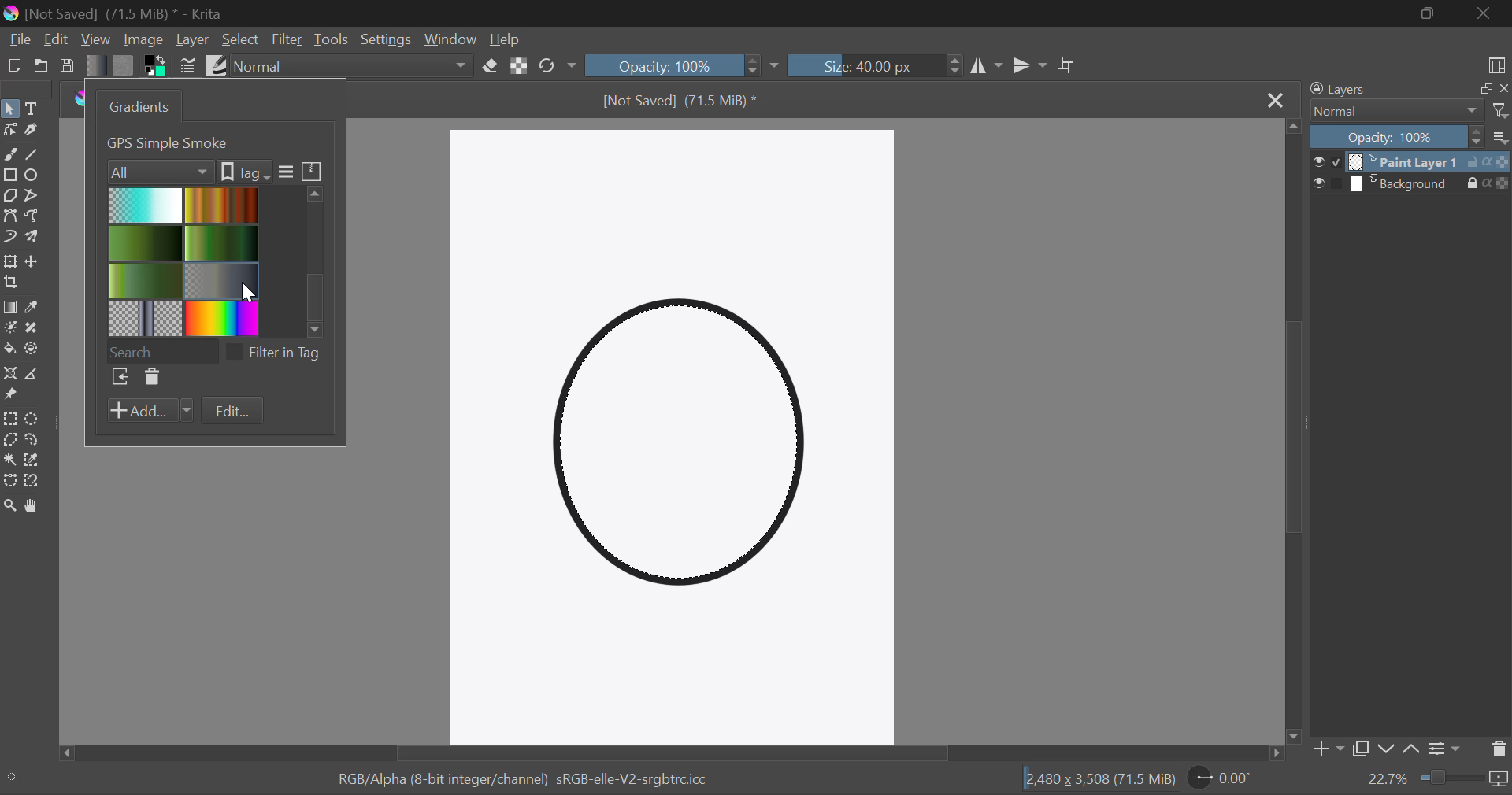  What do you see at coordinates (1496, 65) in the screenshot?
I see `Choose Workspace` at bounding box center [1496, 65].